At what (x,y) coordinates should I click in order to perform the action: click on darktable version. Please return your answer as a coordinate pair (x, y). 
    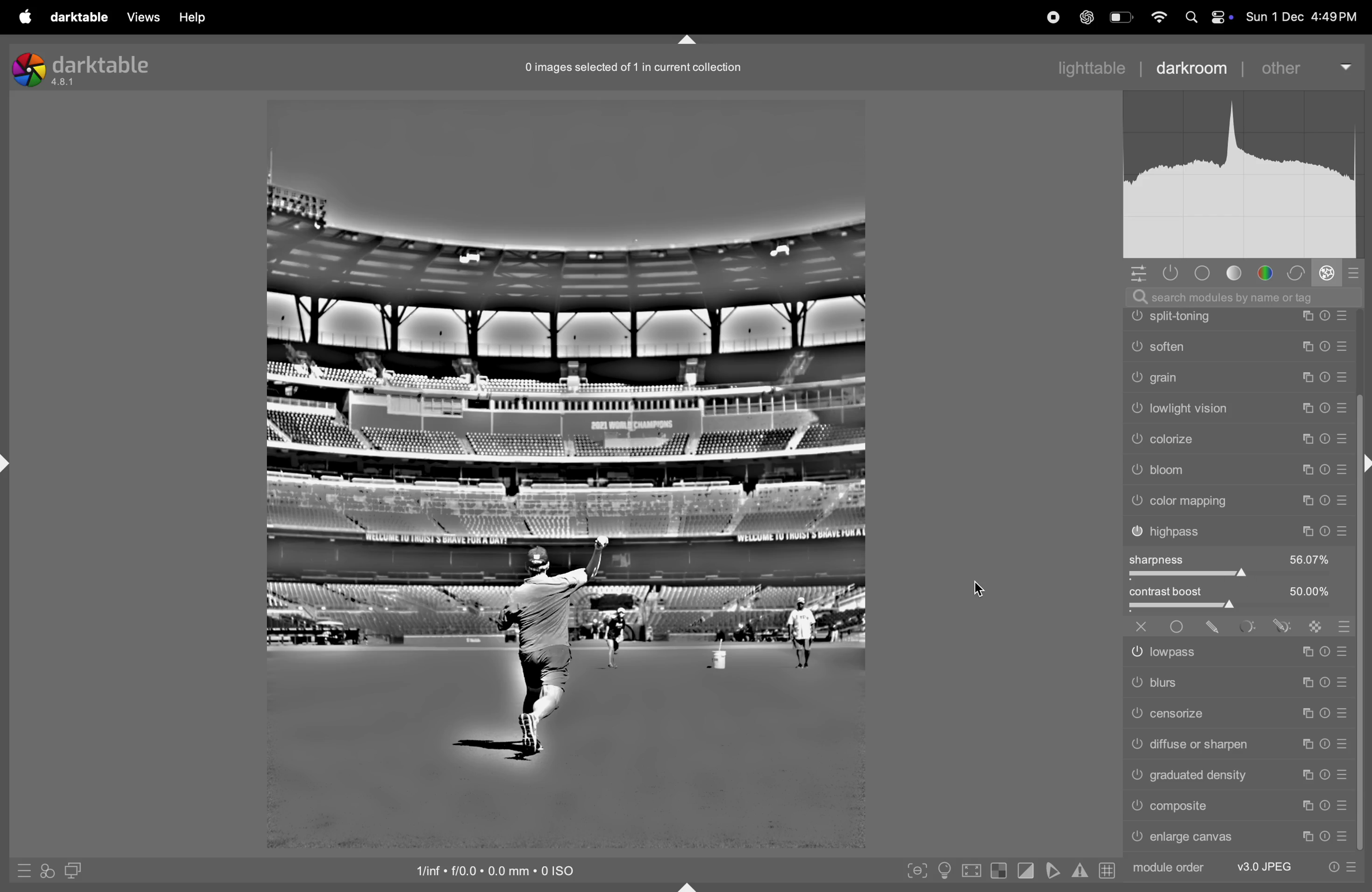
    Looking at the image, I should click on (87, 66).